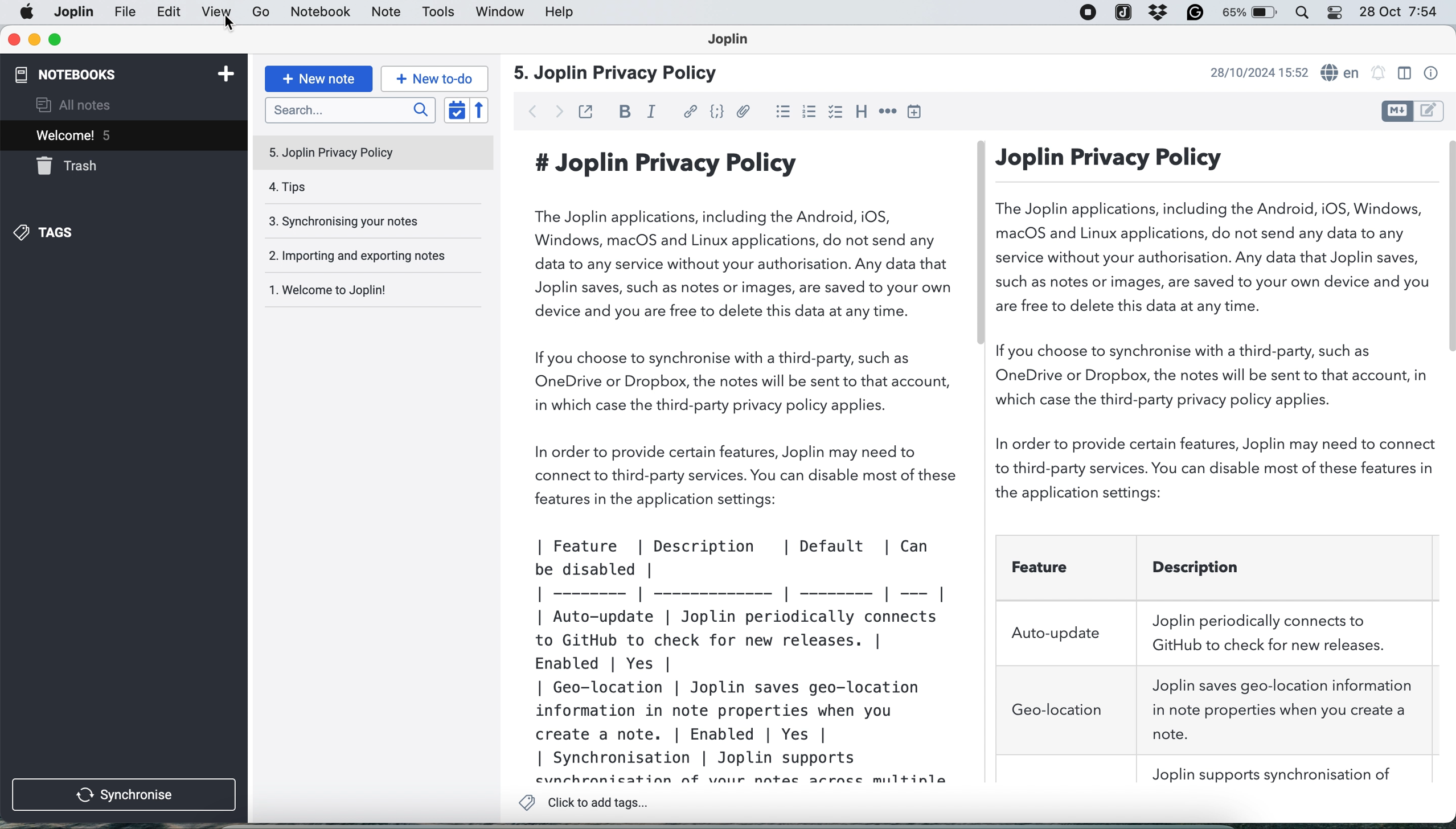 The height and width of the screenshot is (829, 1456). What do you see at coordinates (73, 105) in the screenshot?
I see `all notes` at bounding box center [73, 105].